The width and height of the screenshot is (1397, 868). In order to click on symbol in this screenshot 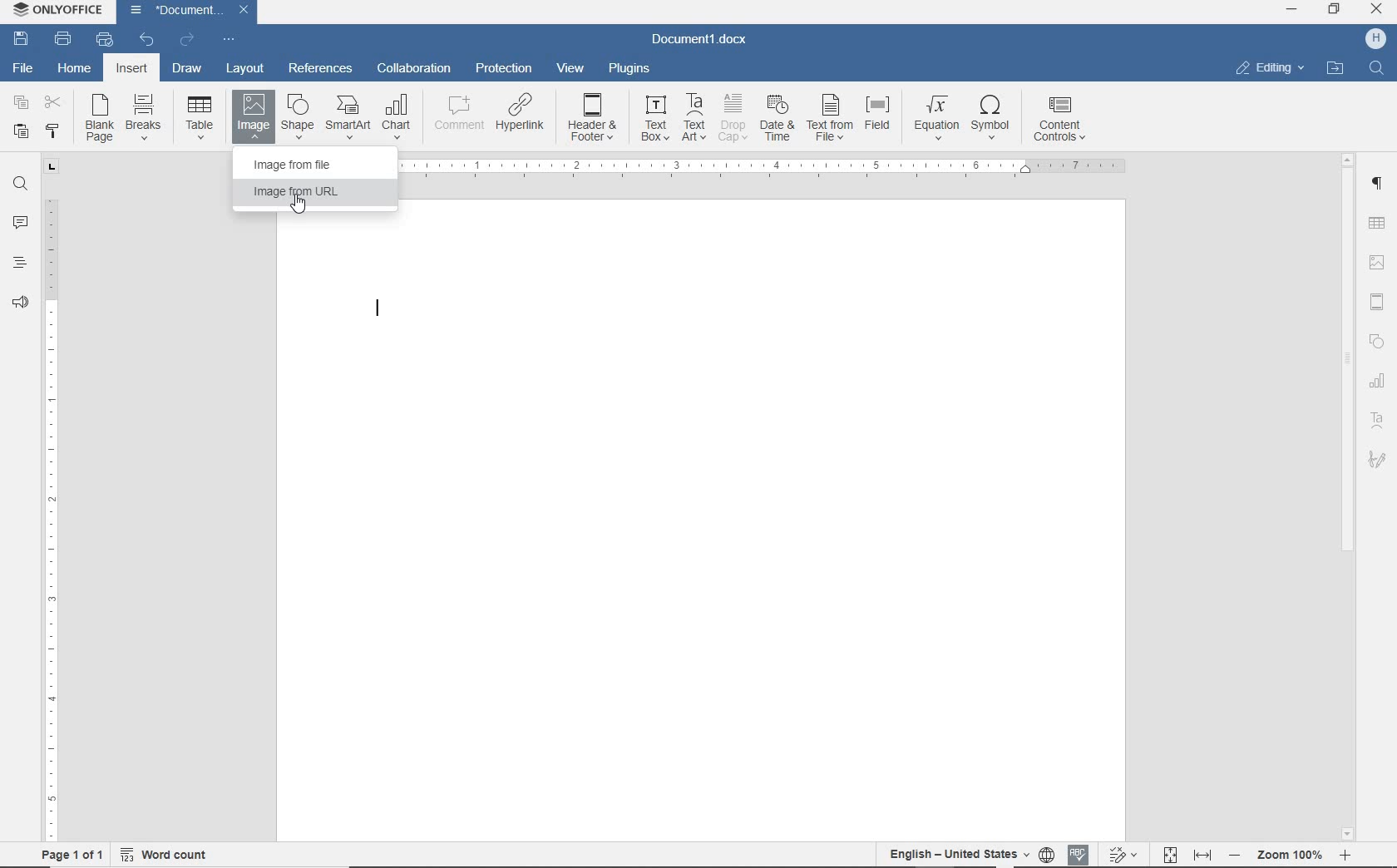, I will do `click(993, 117)`.